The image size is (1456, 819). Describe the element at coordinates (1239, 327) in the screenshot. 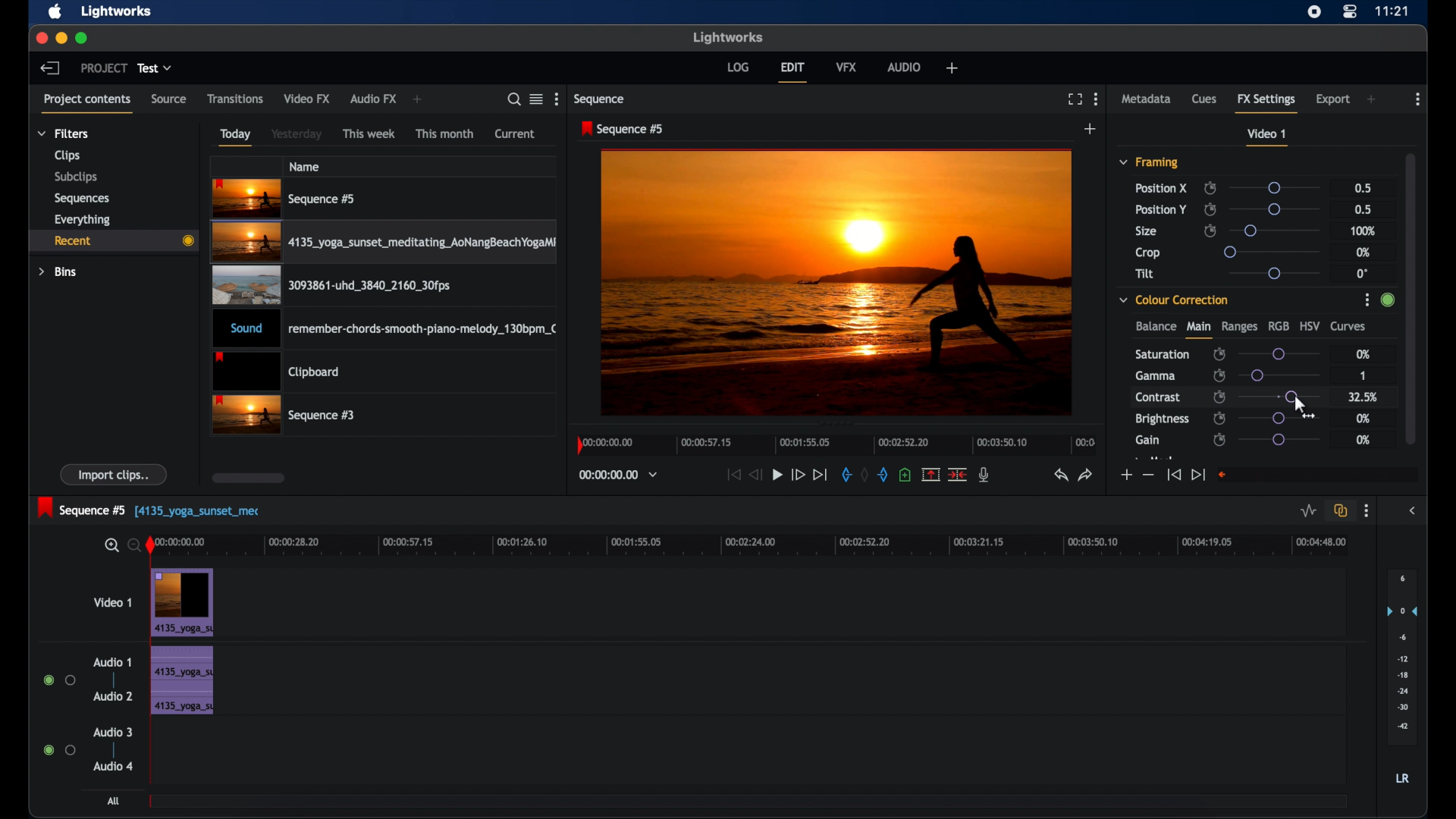

I see `ranges` at that location.